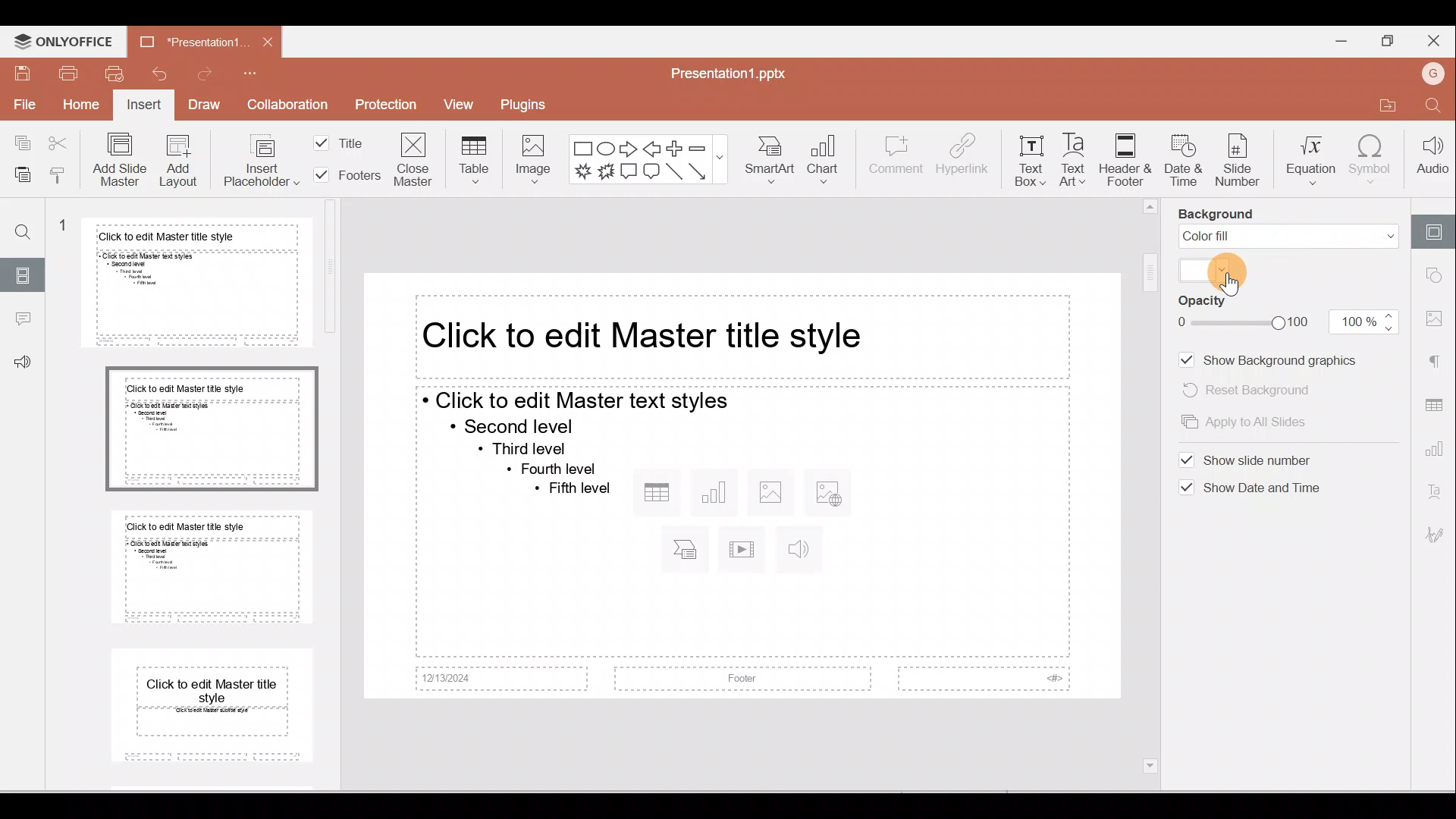 The image size is (1456, 819). Describe the element at coordinates (1270, 490) in the screenshot. I see `Show date and time` at that location.